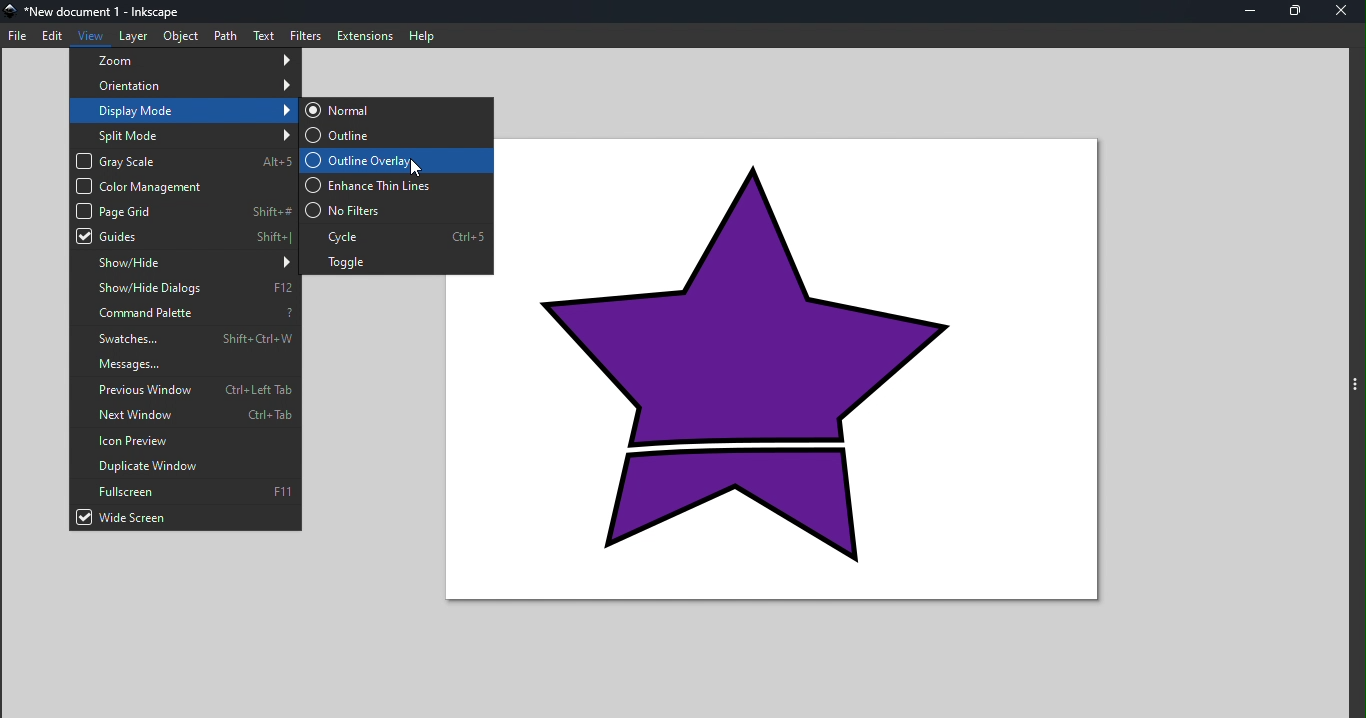 The width and height of the screenshot is (1366, 718). Describe the element at coordinates (184, 414) in the screenshot. I see `Next window` at that location.